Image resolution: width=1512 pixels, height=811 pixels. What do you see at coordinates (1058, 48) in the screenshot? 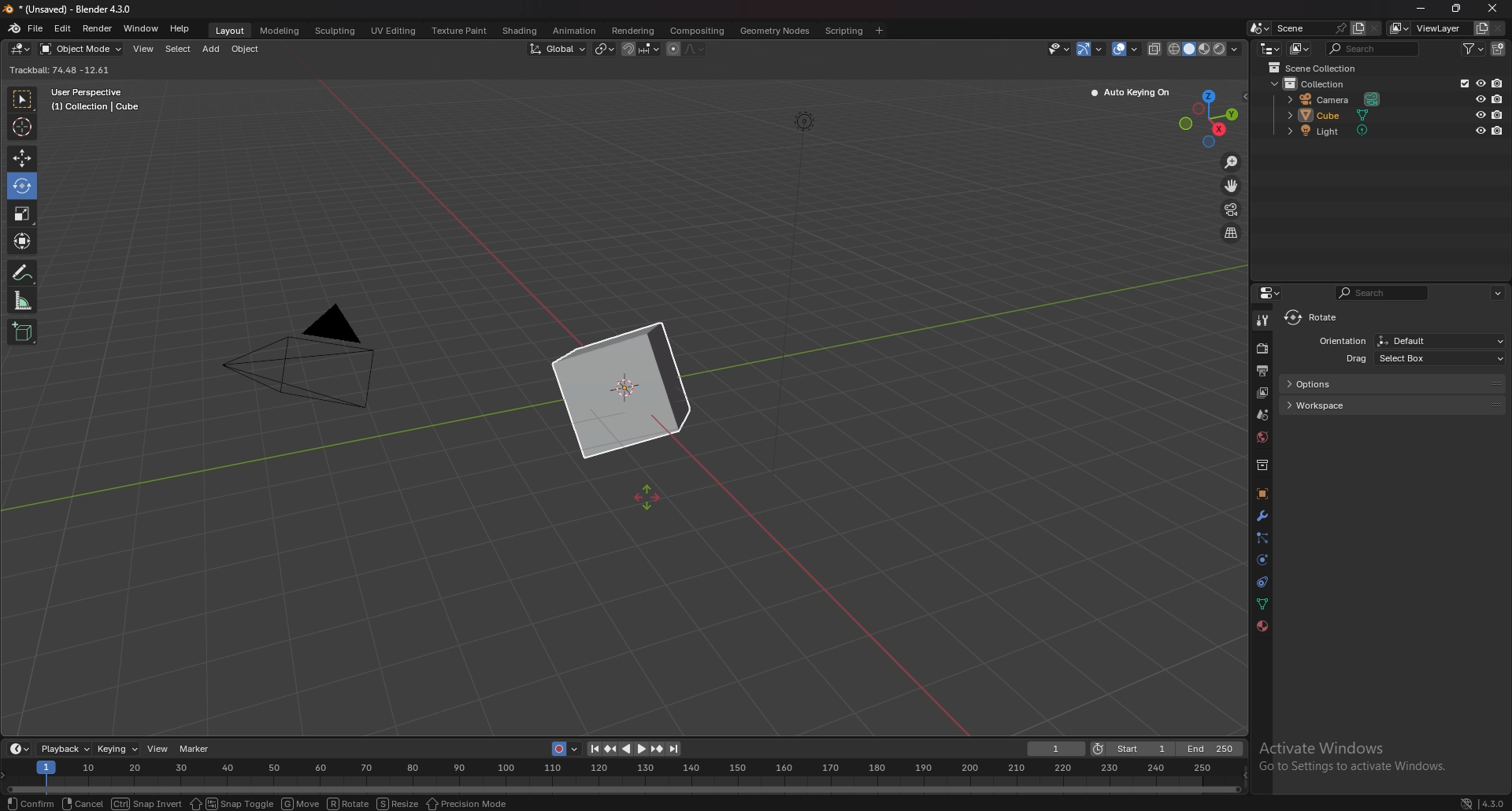
I see `select-ability and visibility` at bounding box center [1058, 48].